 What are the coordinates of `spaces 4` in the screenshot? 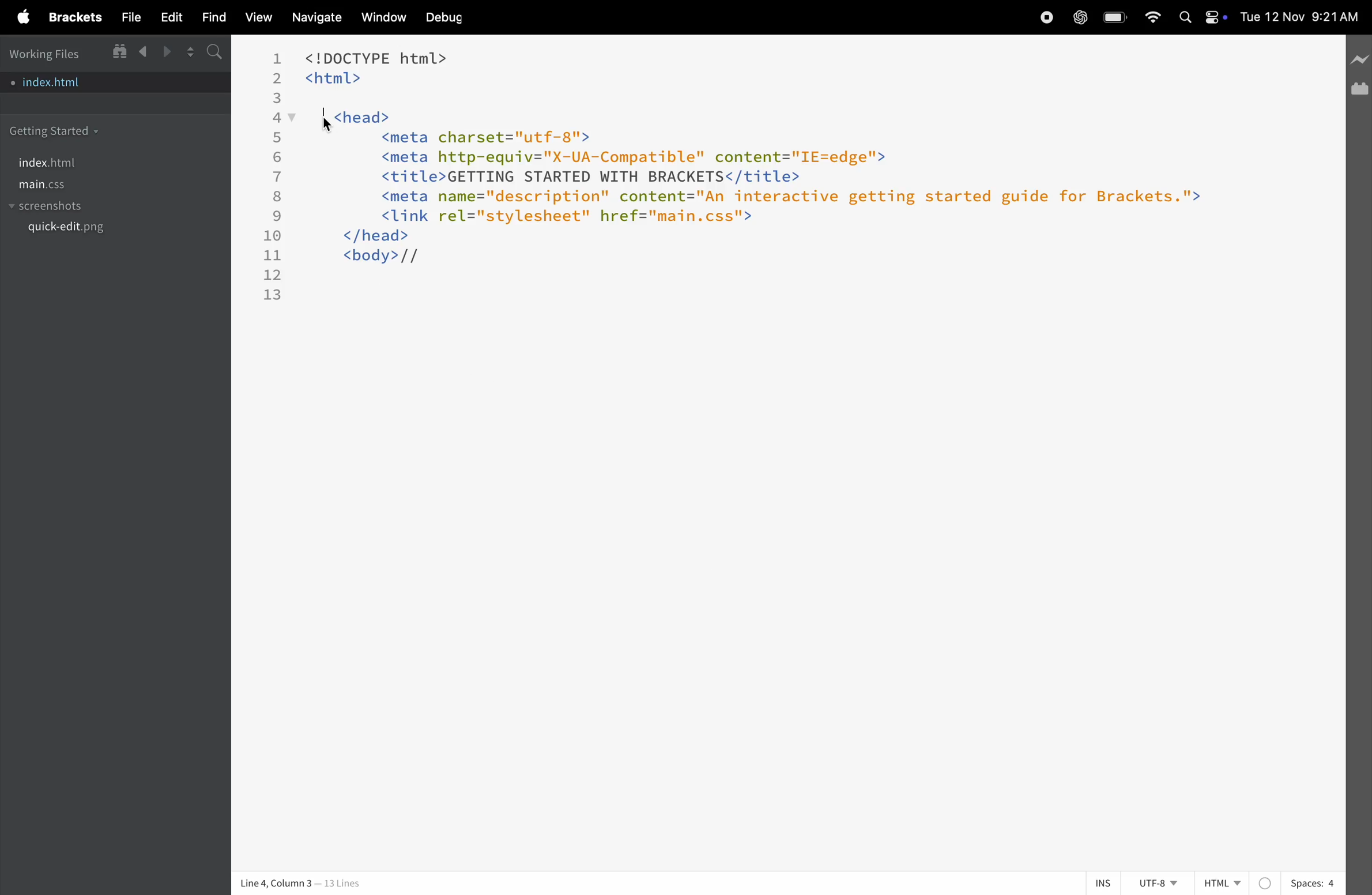 It's located at (1312, 883).